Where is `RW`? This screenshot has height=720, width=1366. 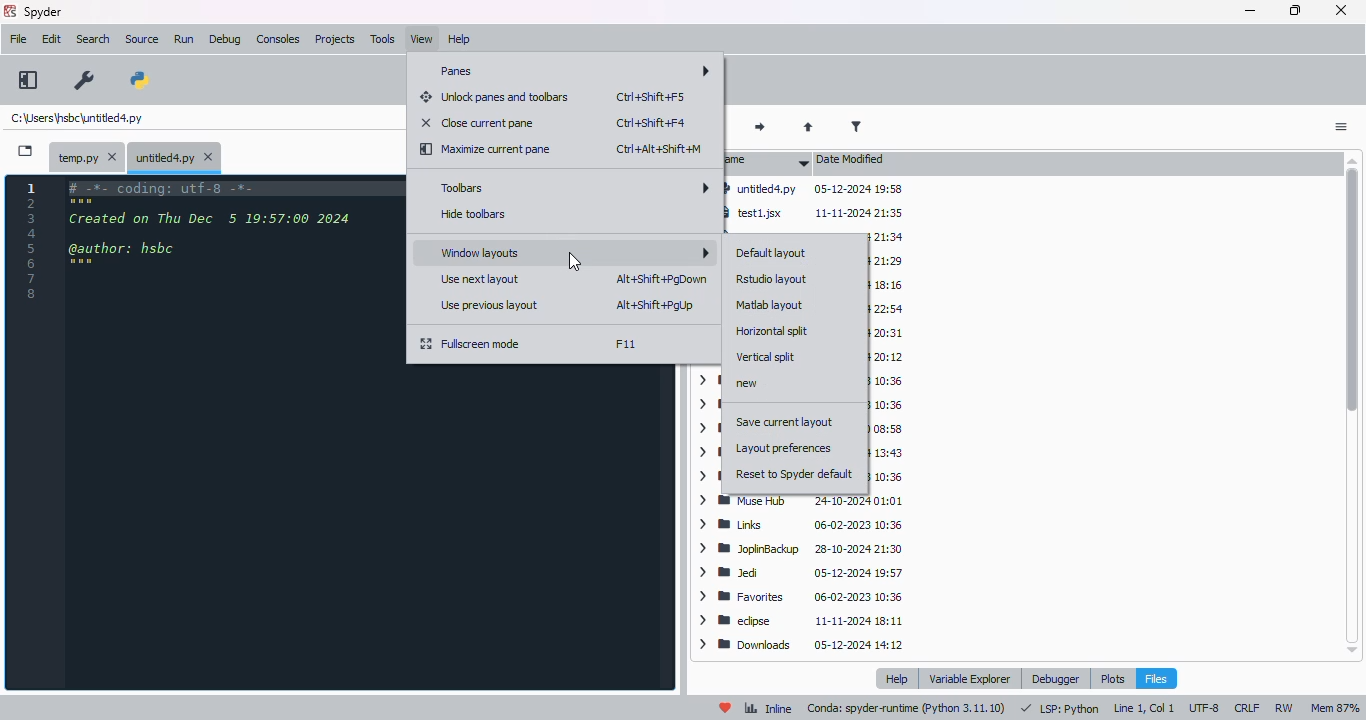 RW is located at coordinates (1287, 708).